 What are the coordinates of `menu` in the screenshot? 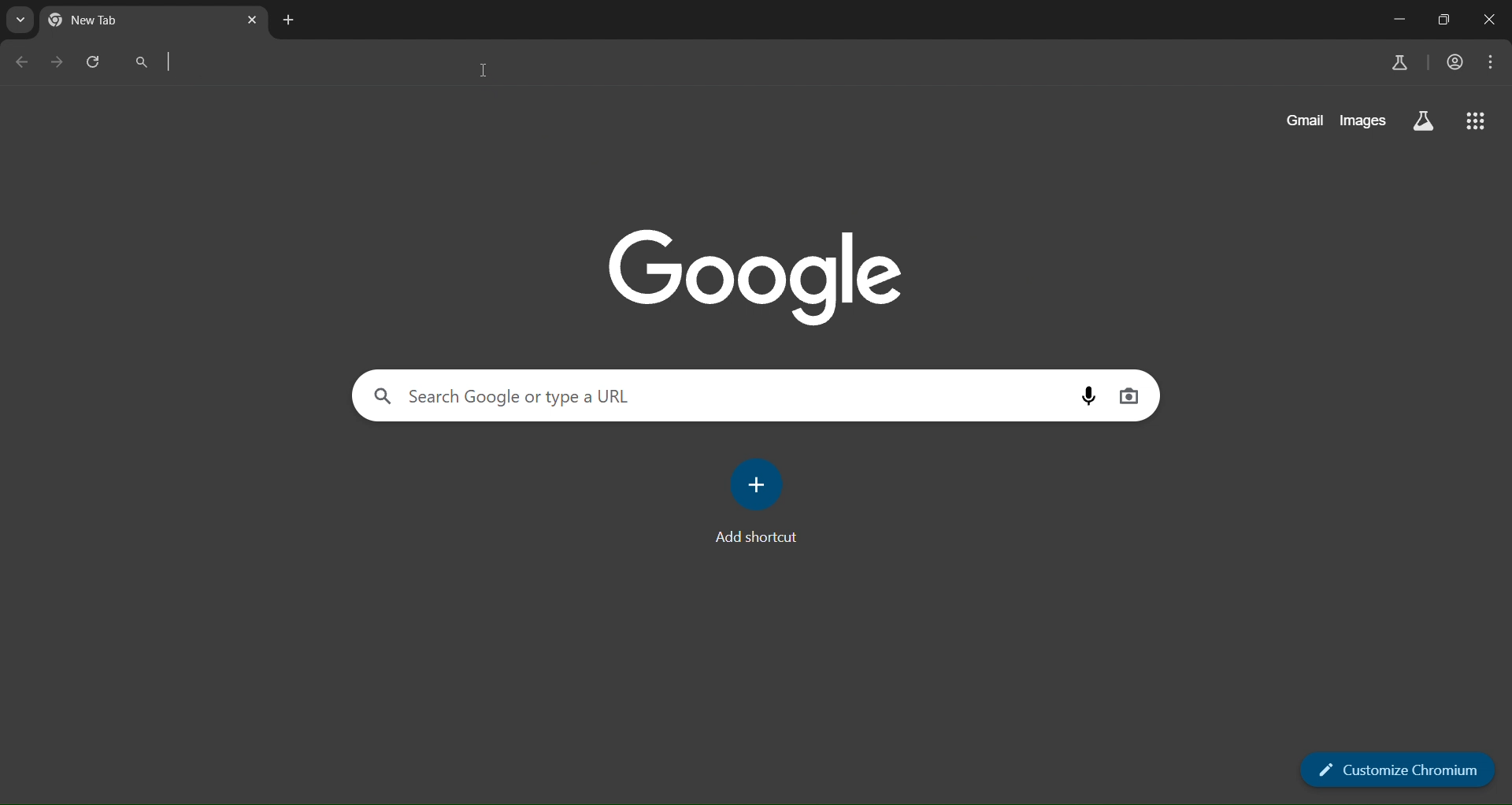 It's located at (1487, 61).